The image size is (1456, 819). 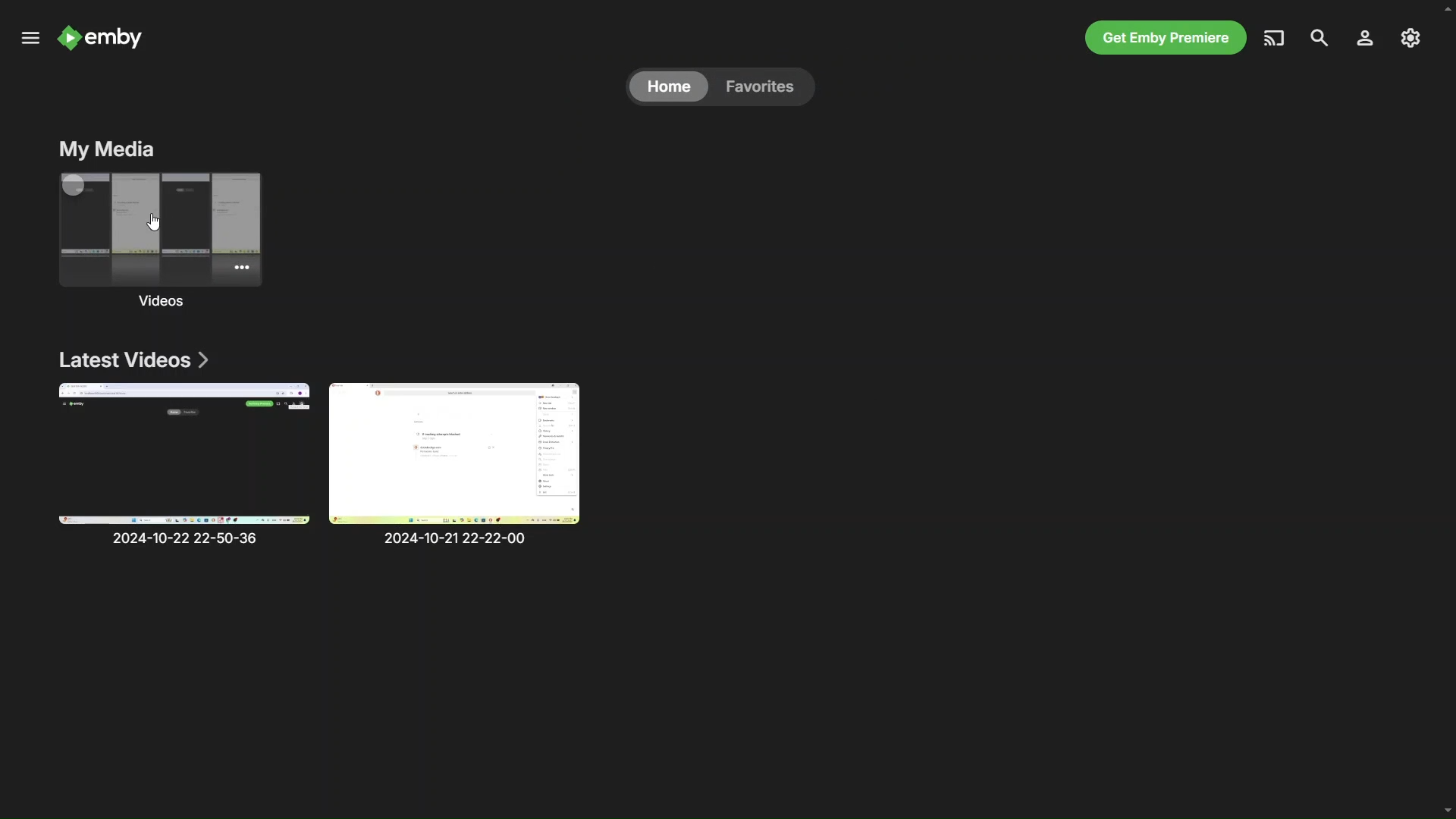 I want to click on home, so click(x=670, y=85).